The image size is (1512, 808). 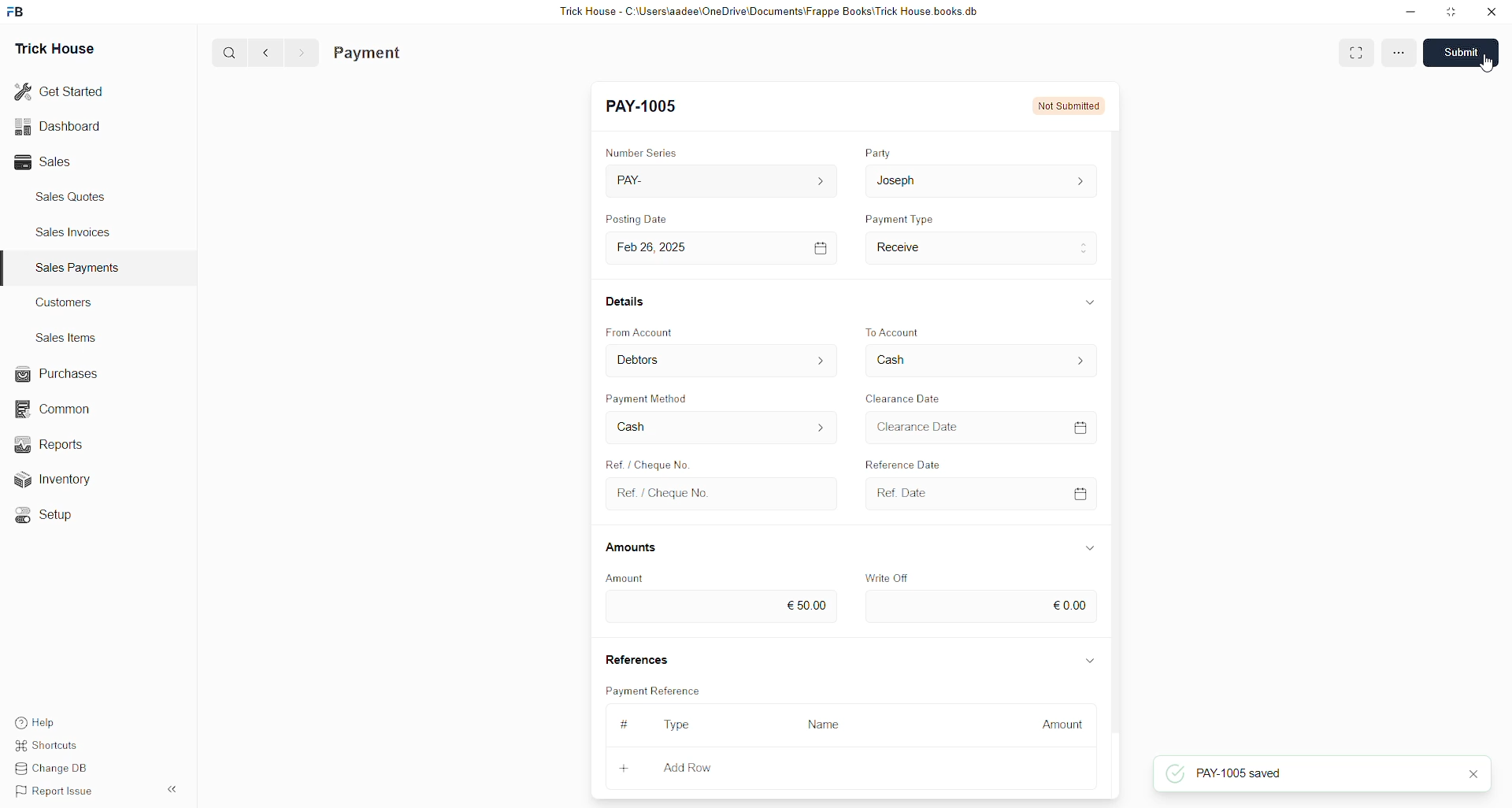 I want to click on Number Series, so click(x=642, y=152).